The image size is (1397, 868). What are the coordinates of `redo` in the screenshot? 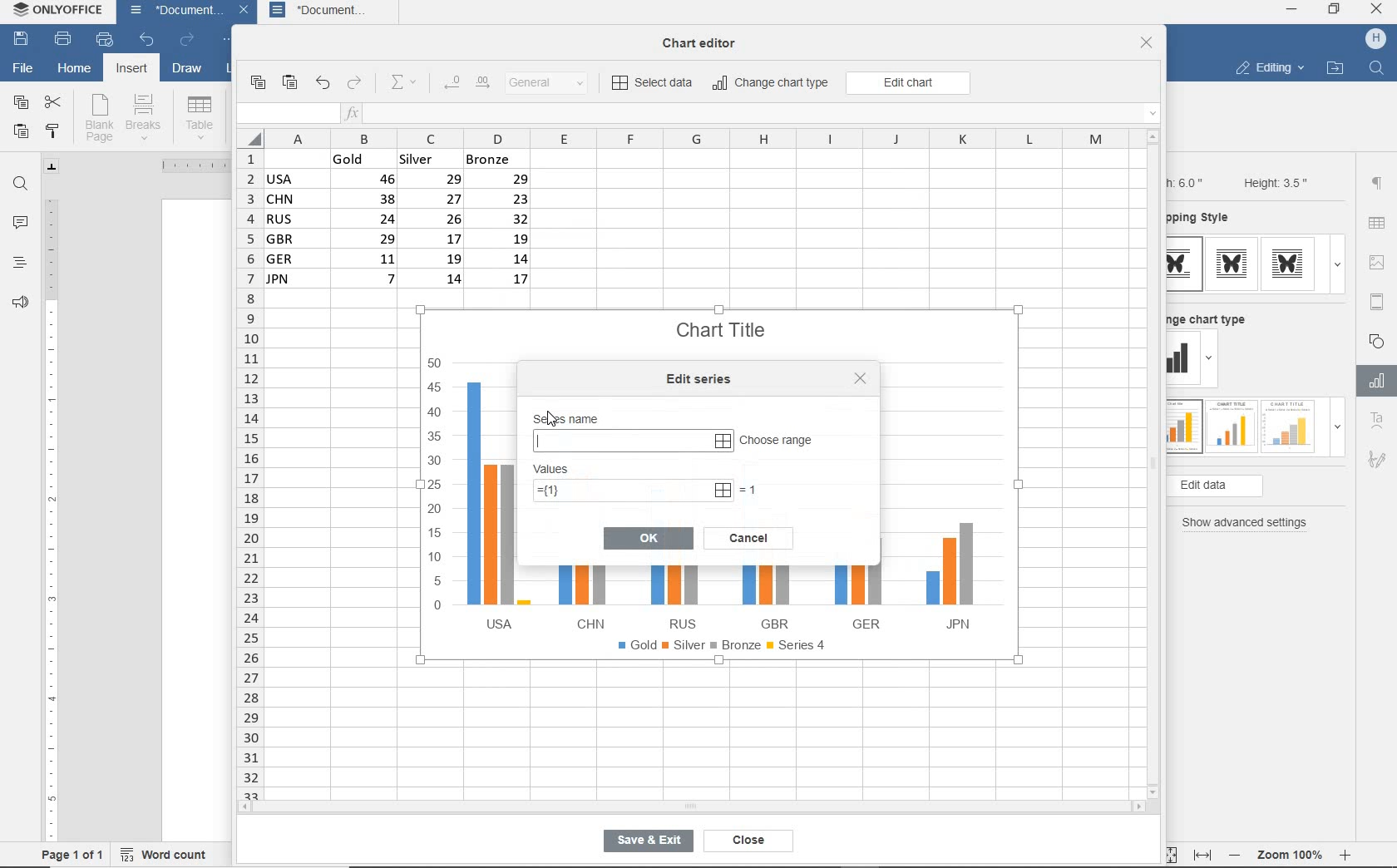 It's located at (186, 41).